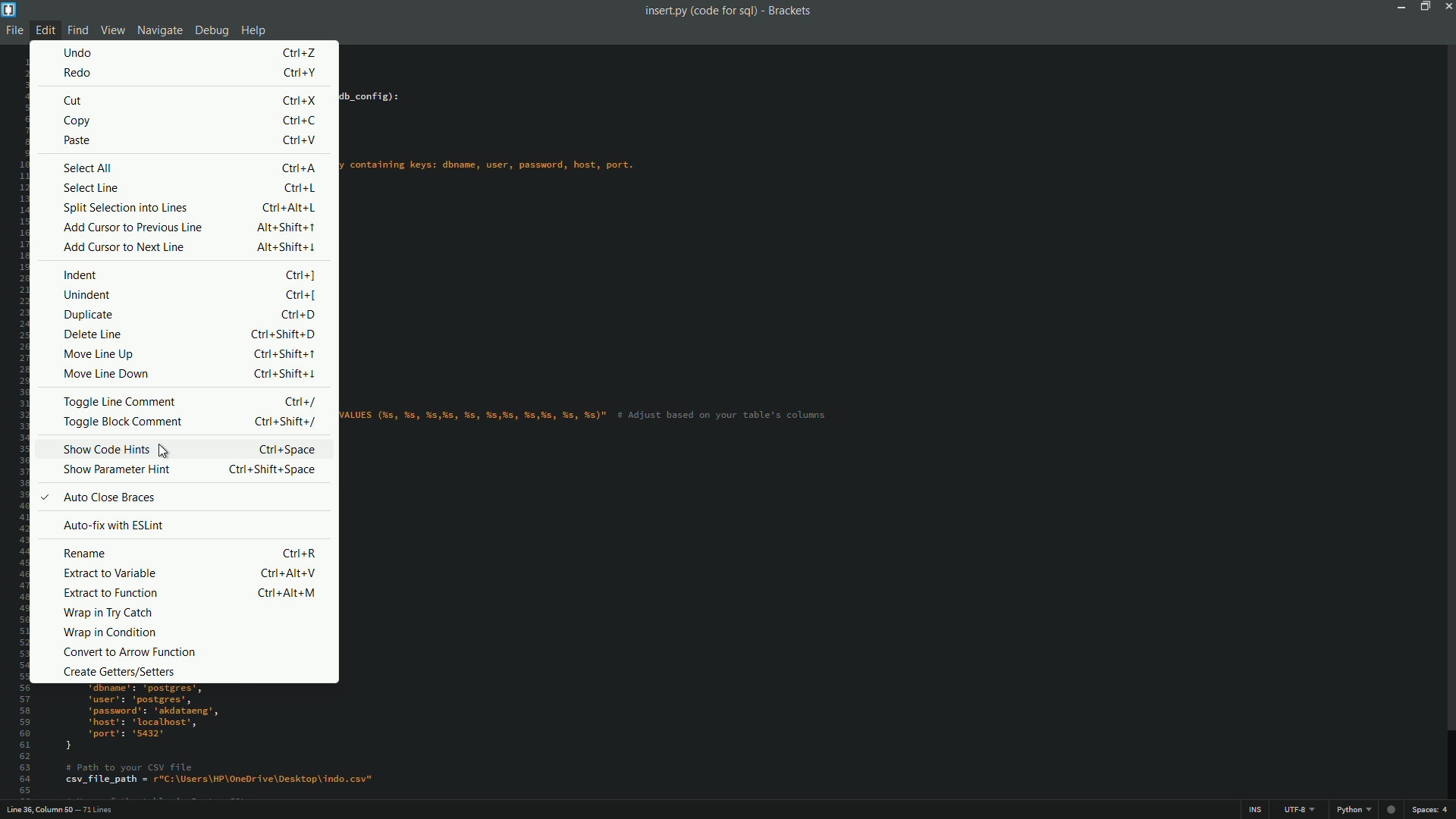  Describe the element at coordinates (106, 632) in the screenshot. I see `wrap in condition` at that location.